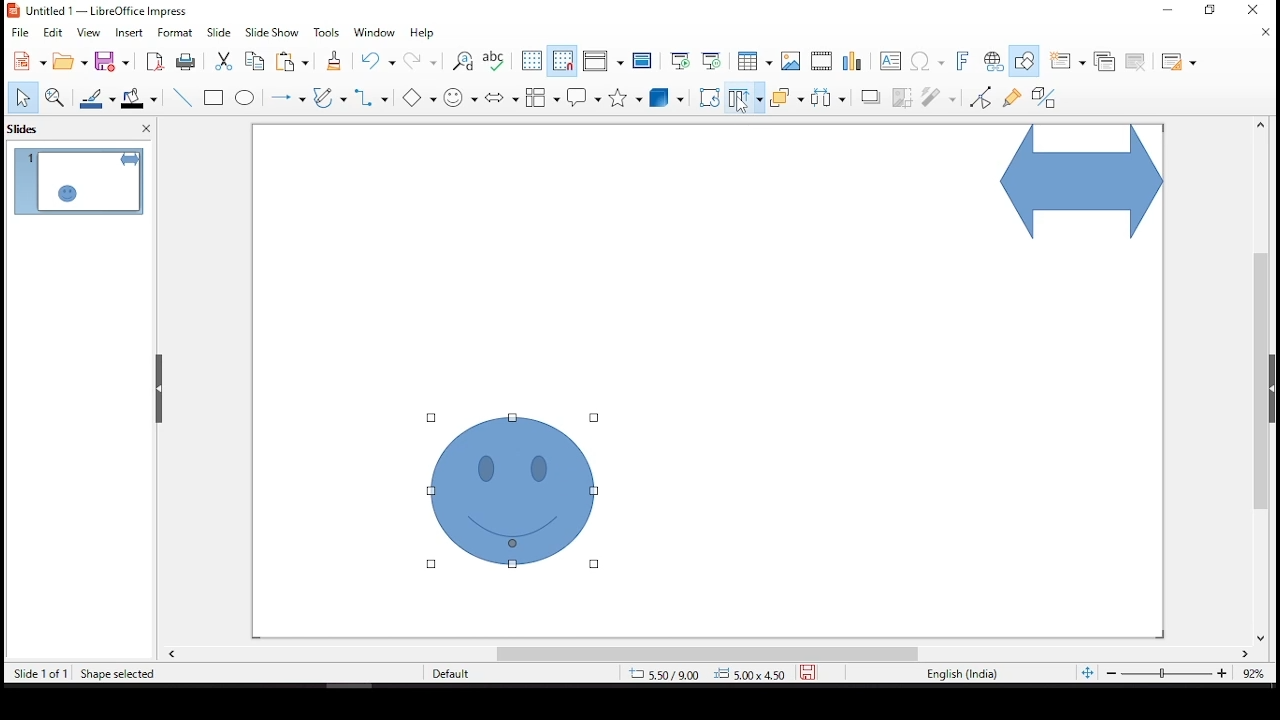 This screenshot has height=720, width=1280. What do you see at coordinates (823, 61) in the screenshot?
I see `insert audio or video` at bounding box center [823, 61].